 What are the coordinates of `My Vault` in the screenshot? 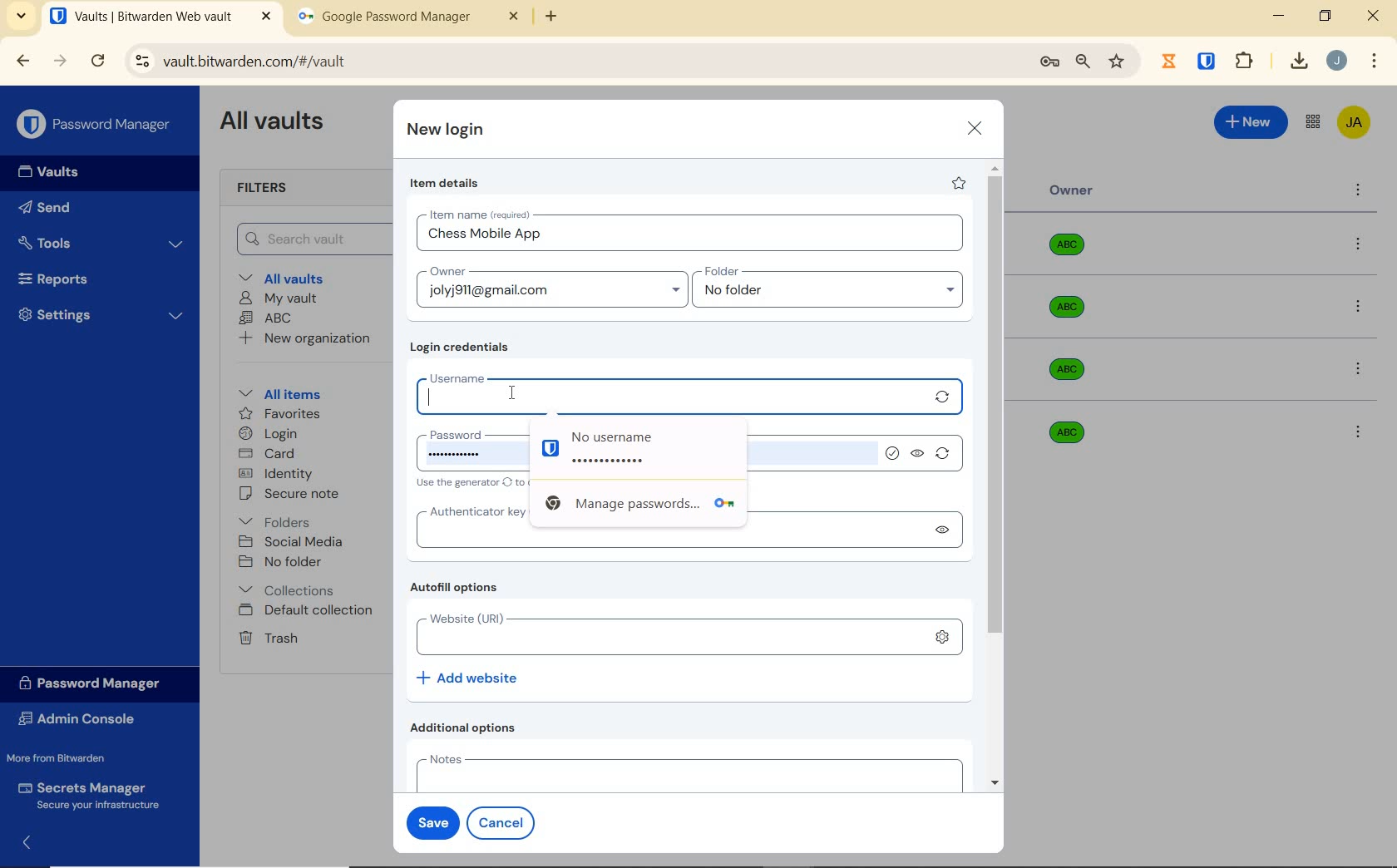 It's located at (279, 298).